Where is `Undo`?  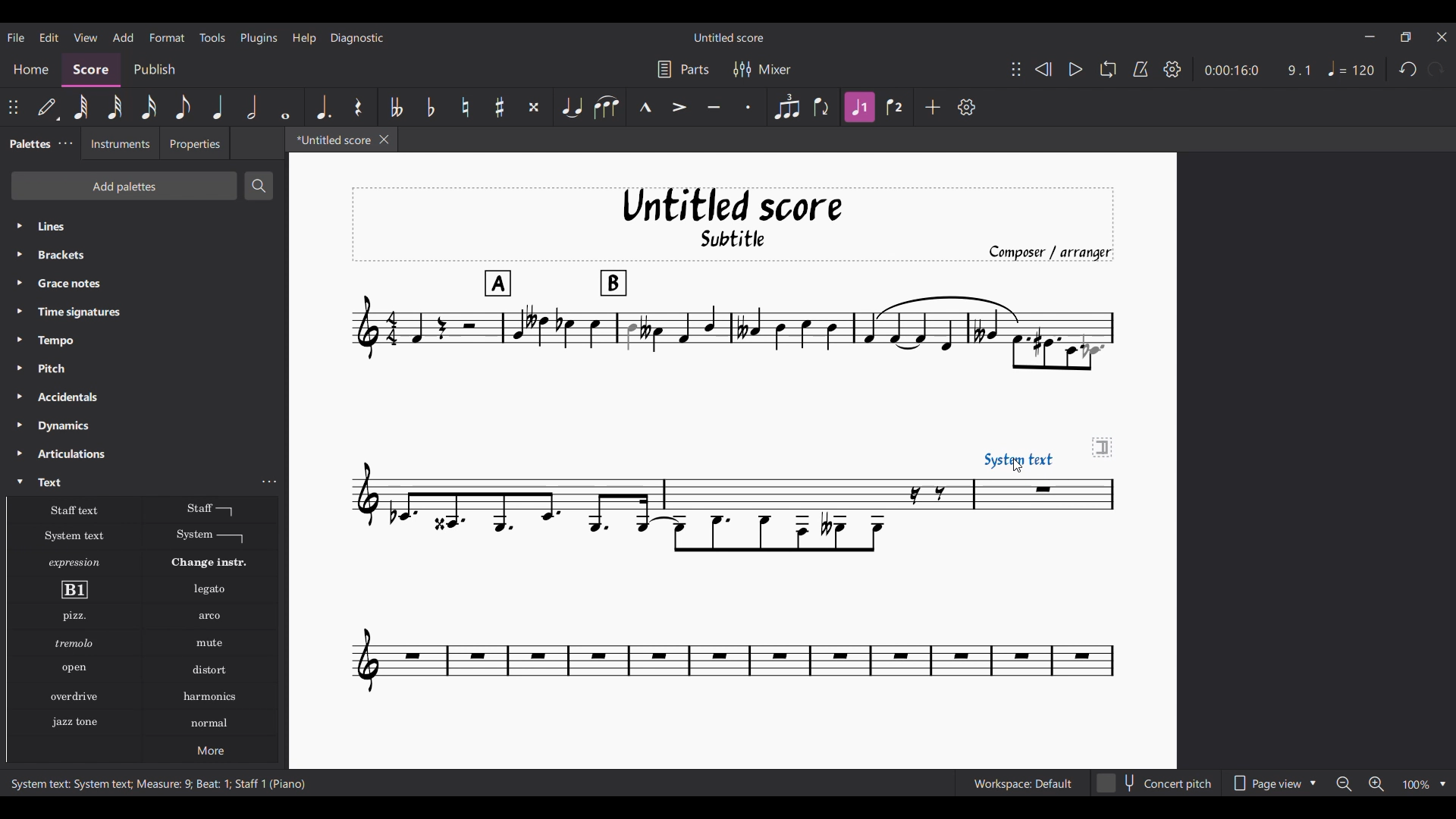 Undo is located at coordinates (1409, 68).